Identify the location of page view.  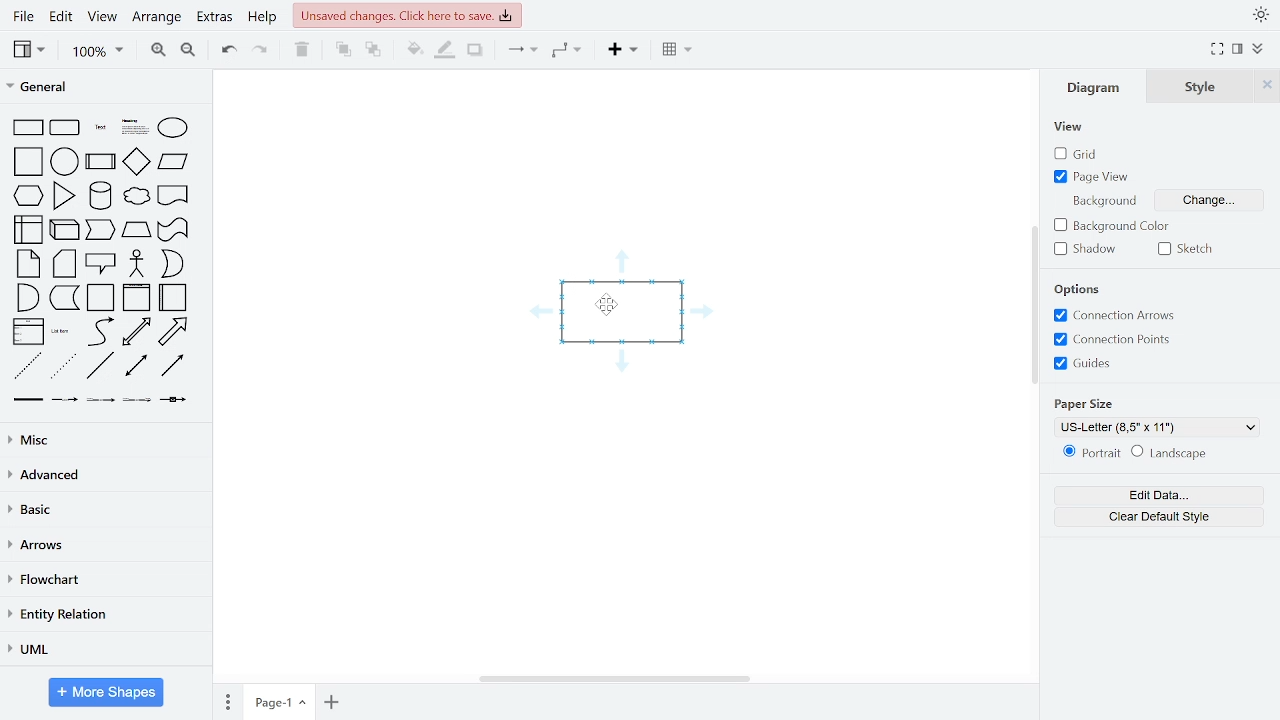
(1091, 177).